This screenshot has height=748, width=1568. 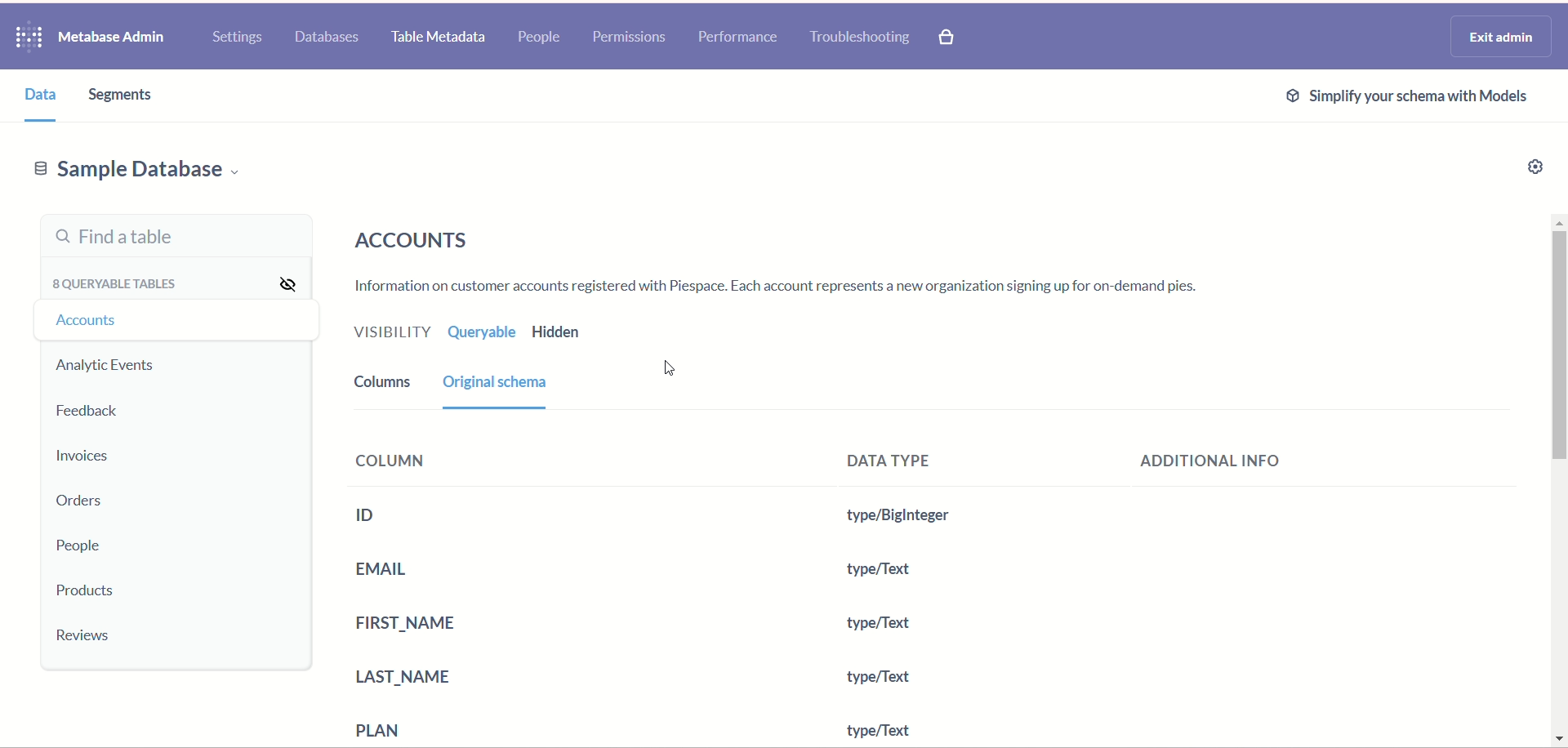 I want to click on people, so click(x=540, y=36).